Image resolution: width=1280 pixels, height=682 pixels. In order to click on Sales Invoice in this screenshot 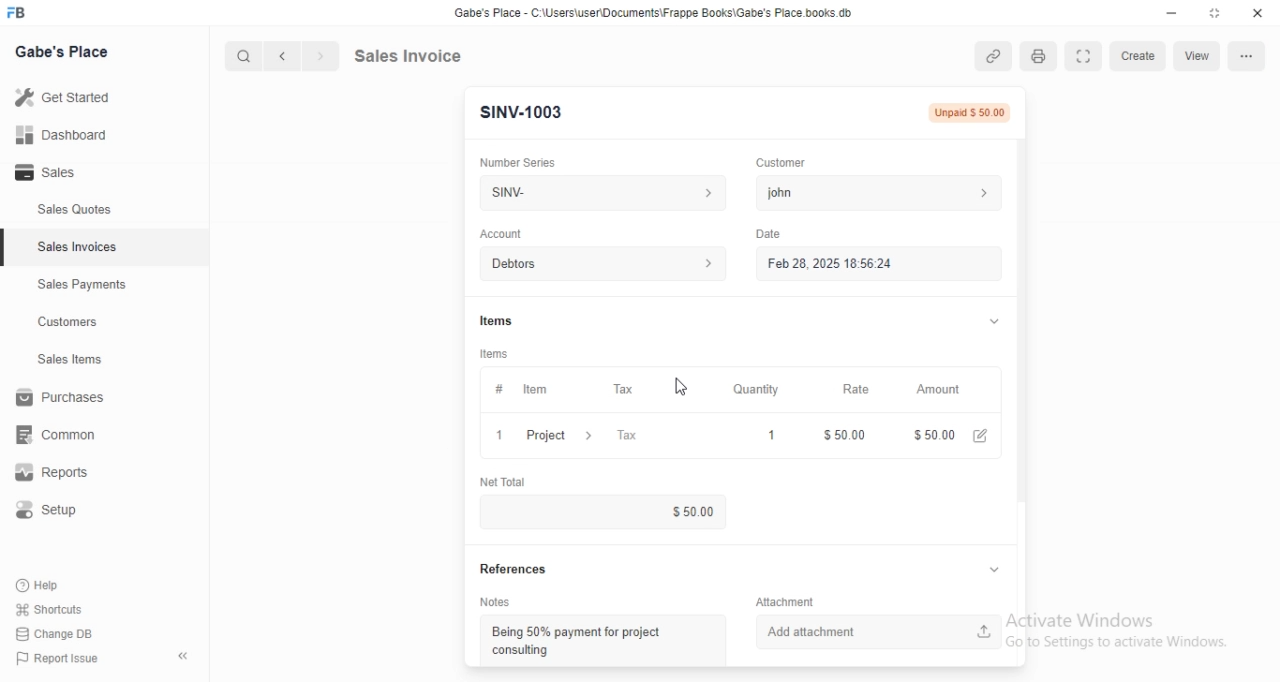, I will do `click(419, 55)`.